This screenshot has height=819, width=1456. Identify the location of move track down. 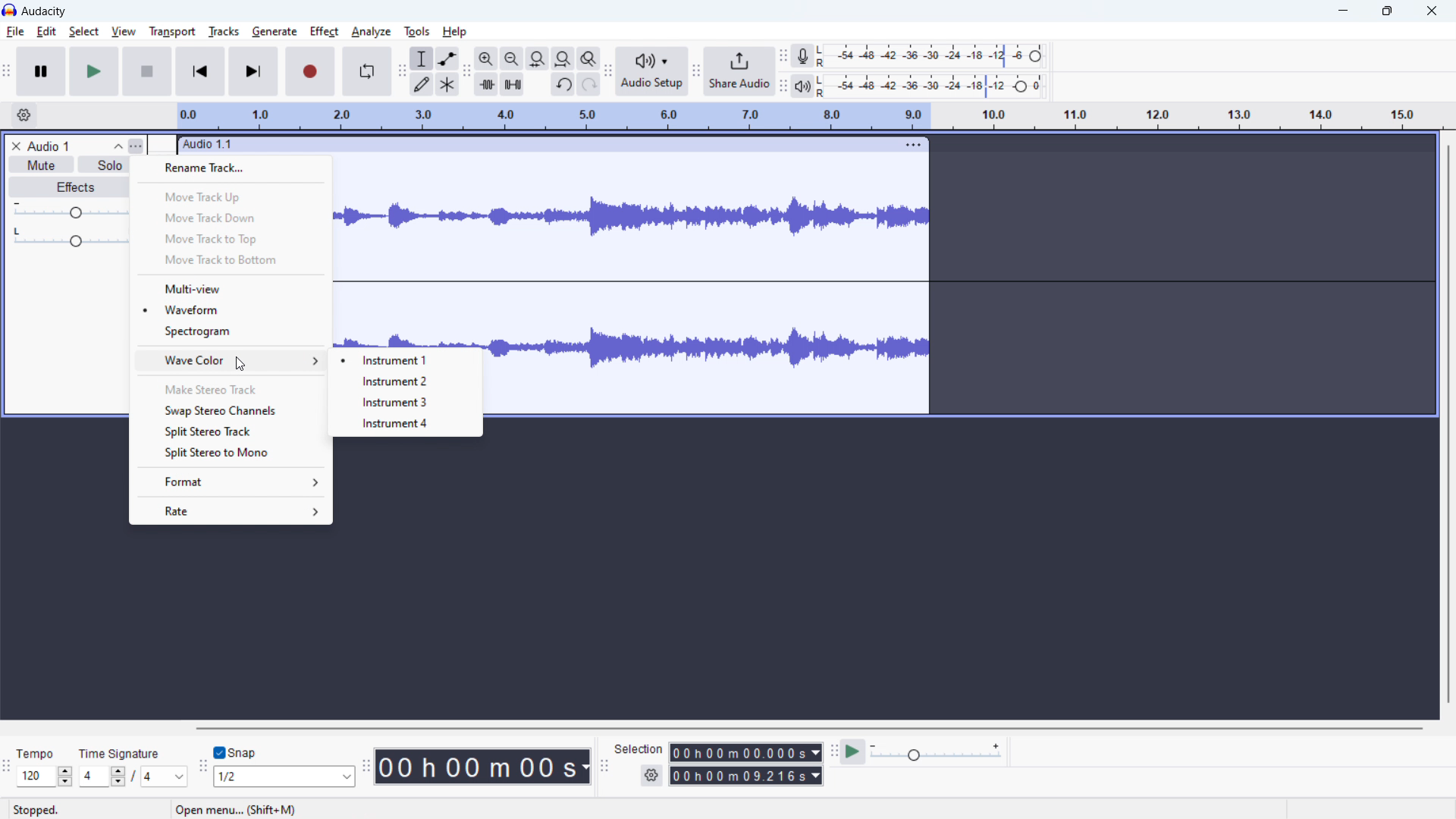
(228, 216).